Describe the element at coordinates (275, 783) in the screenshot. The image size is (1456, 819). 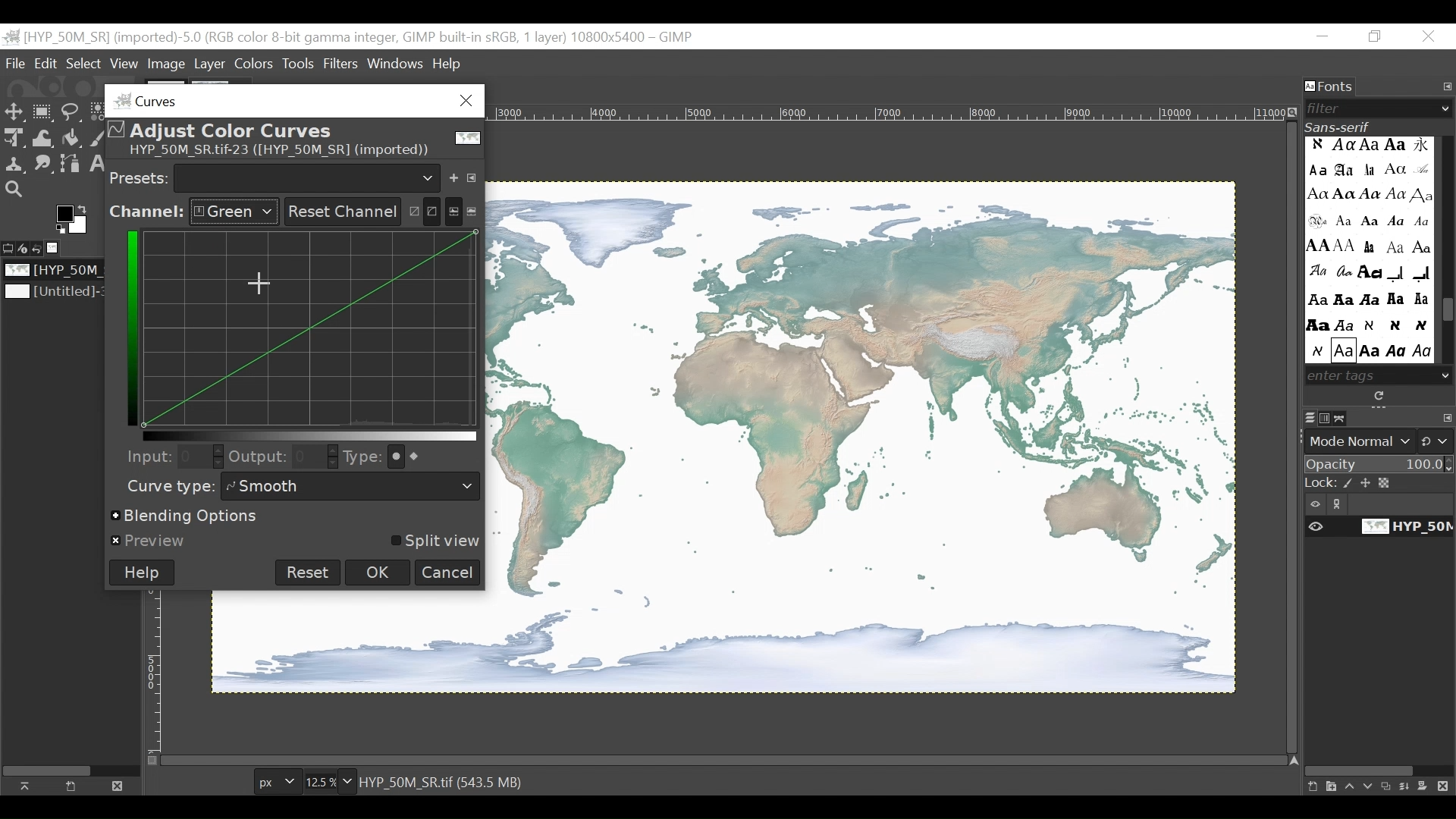
I see `Pixels` at that location.